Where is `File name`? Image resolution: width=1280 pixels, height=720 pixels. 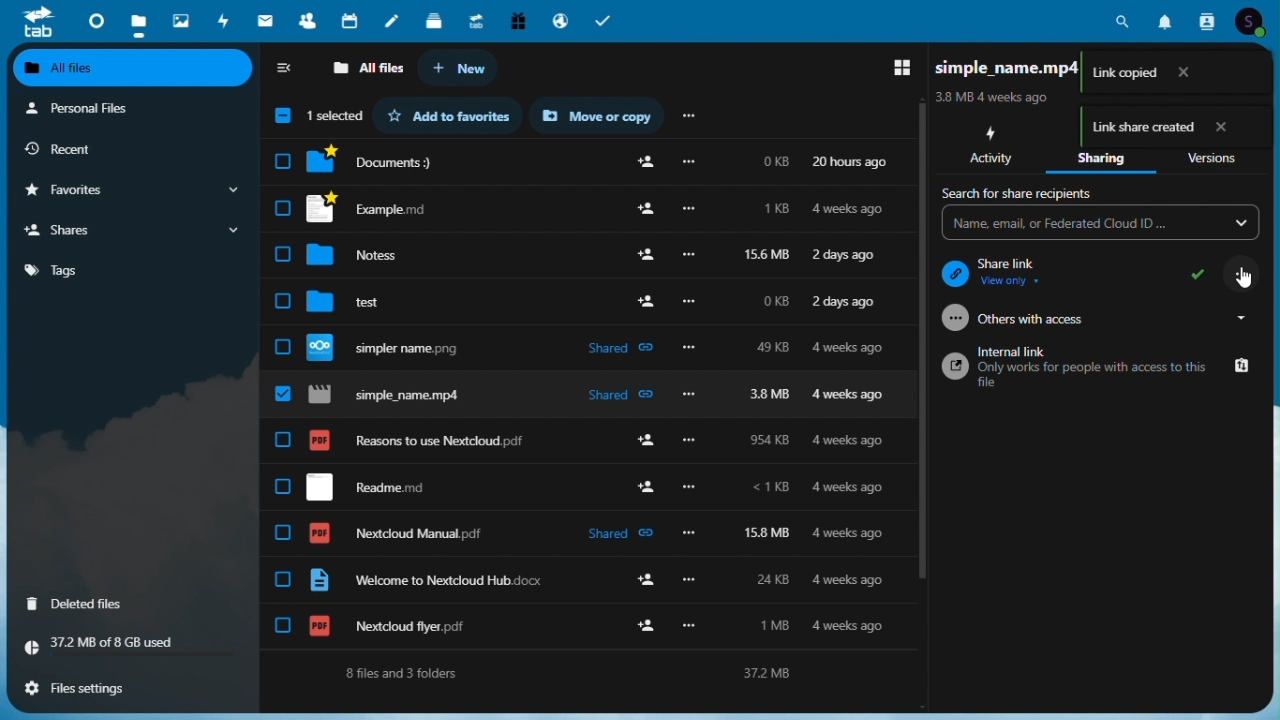 File name is located at coordinates (1027, 66).